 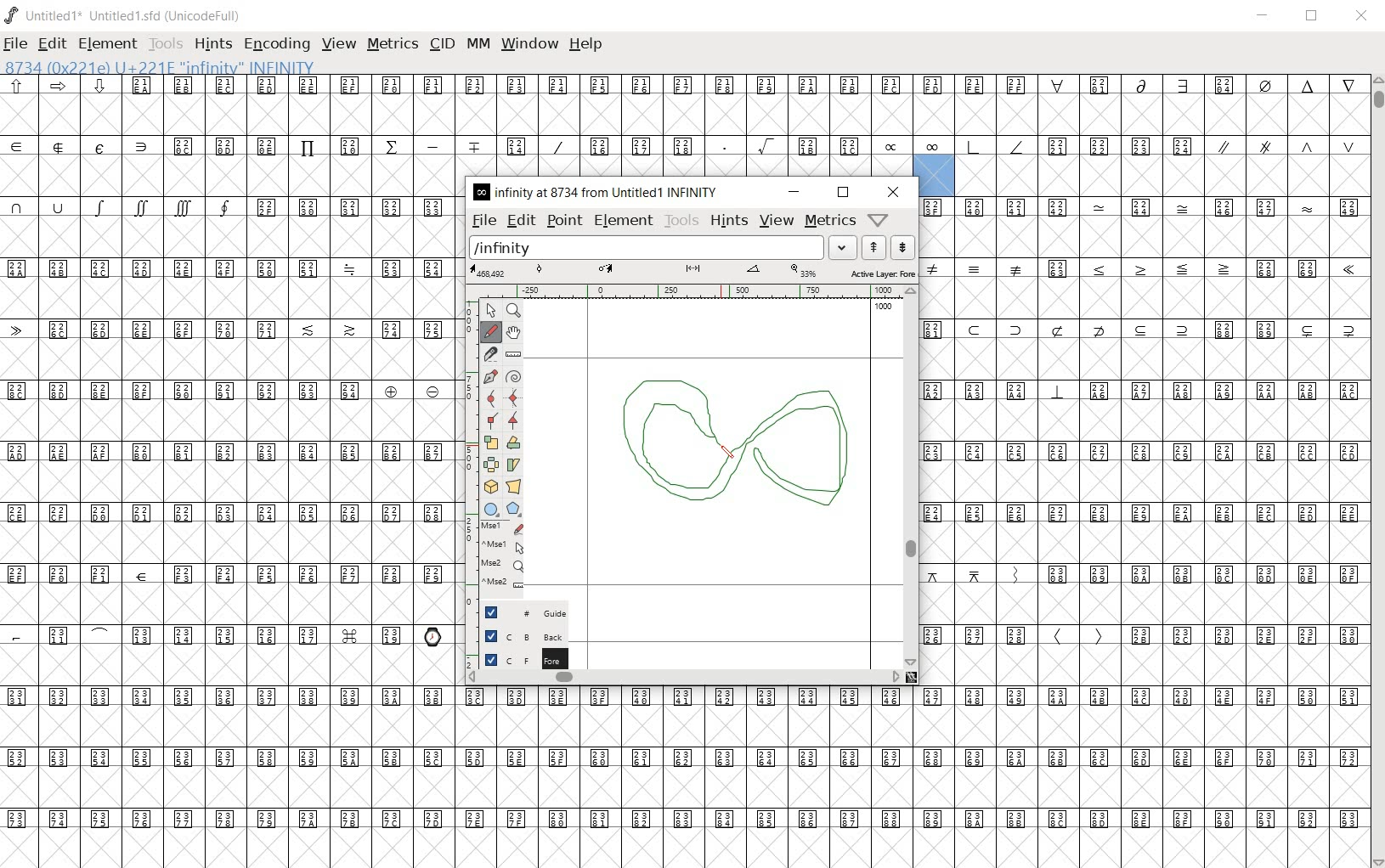 What do you see at coordinates (483, 220) in the screenshot?
I see `file` at bounding box center [483, 220].